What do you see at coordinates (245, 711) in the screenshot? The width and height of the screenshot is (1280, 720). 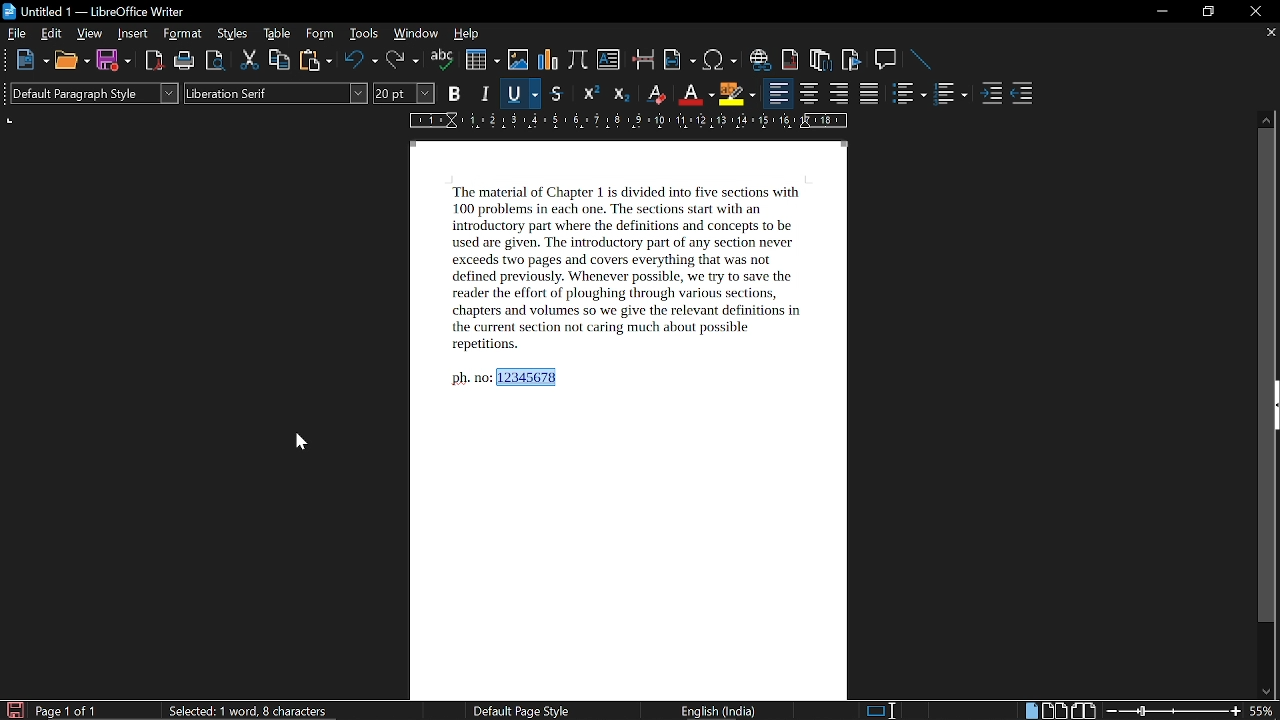 I see `Selected: 1 word, 8 charcters` at bounding box center [245, 711].